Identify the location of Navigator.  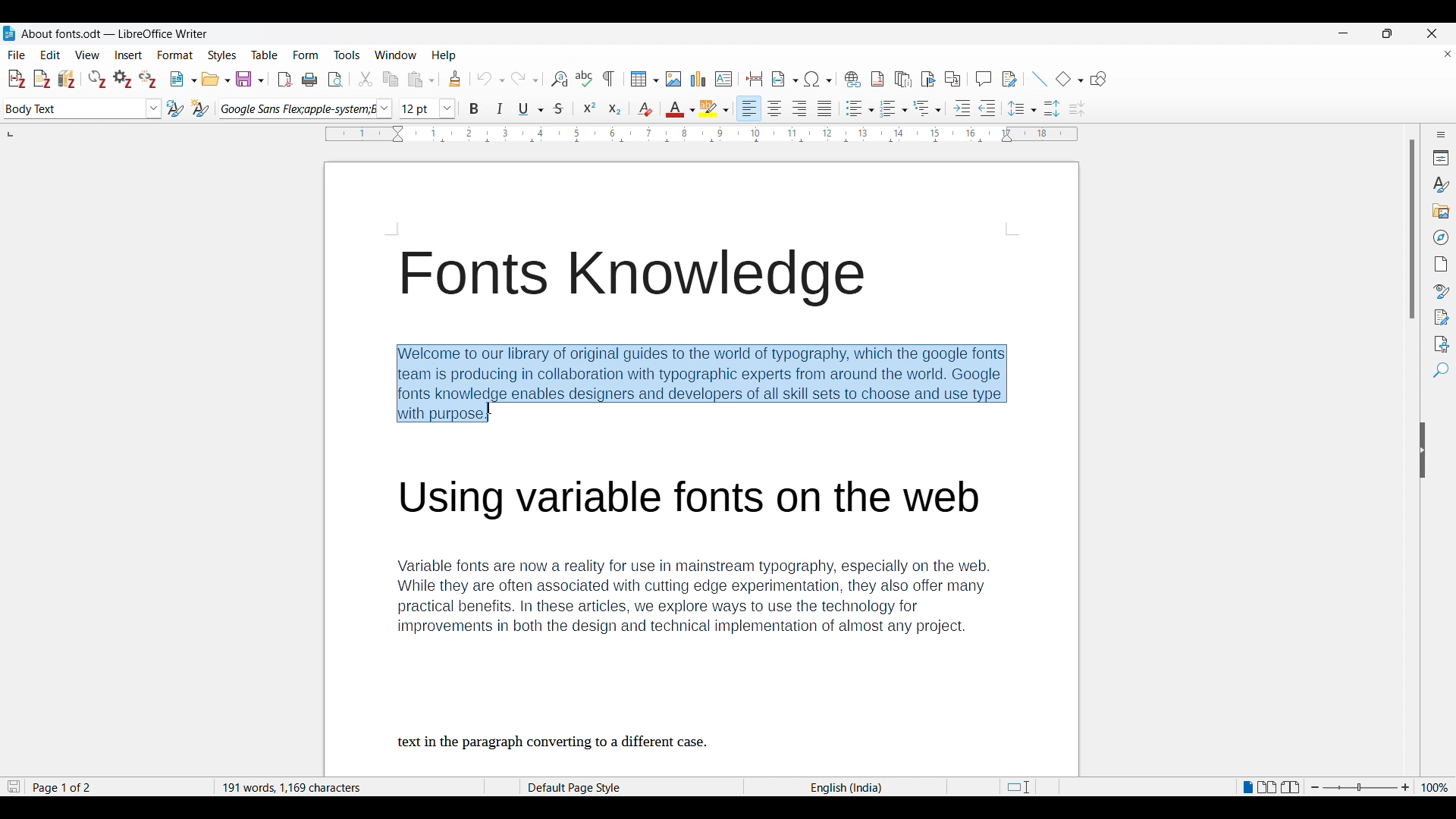
(1442, 237).